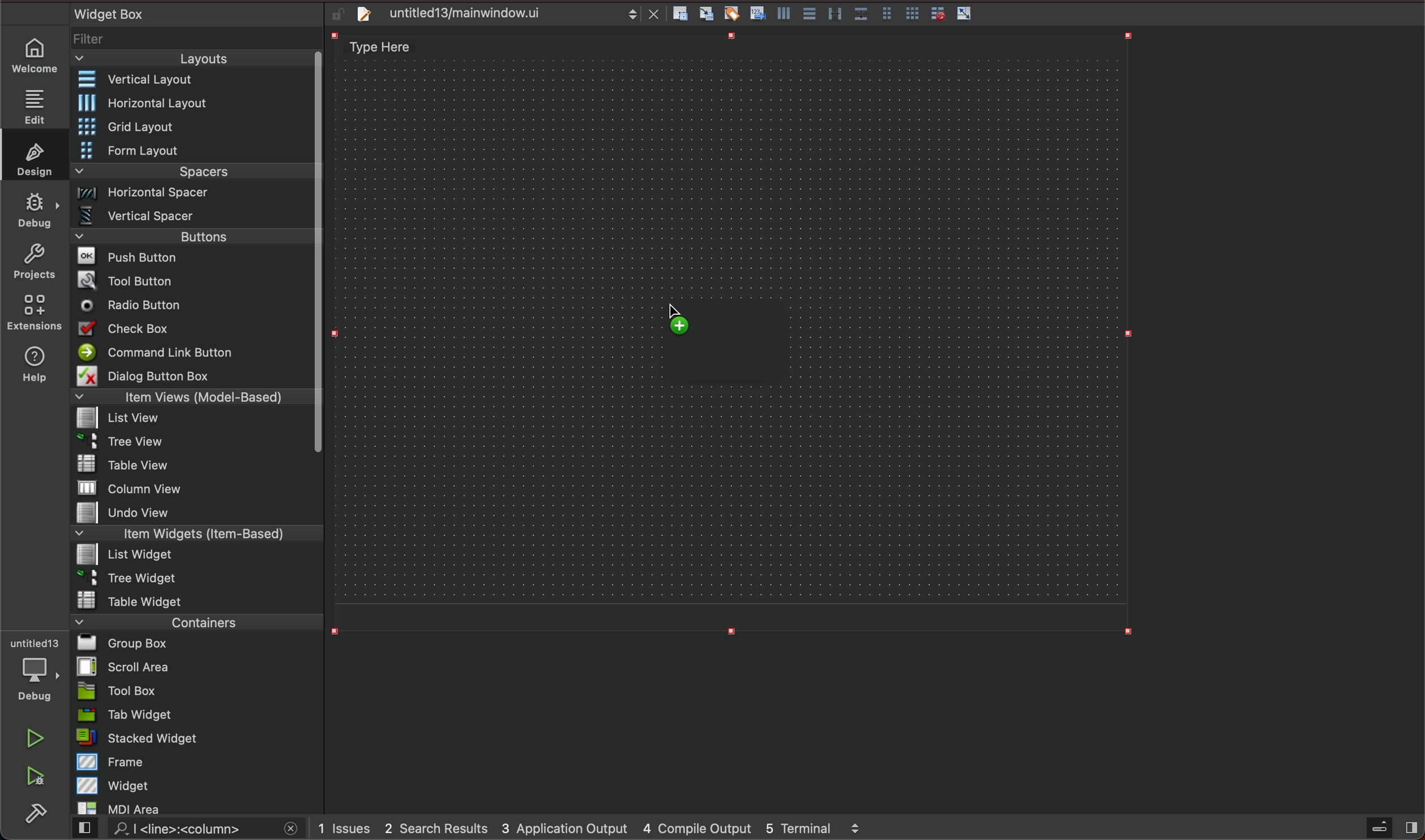  What do you see at coordinates (193, 256) in the screenshot?
I see `push buttons` at bounding box center [193, 256].